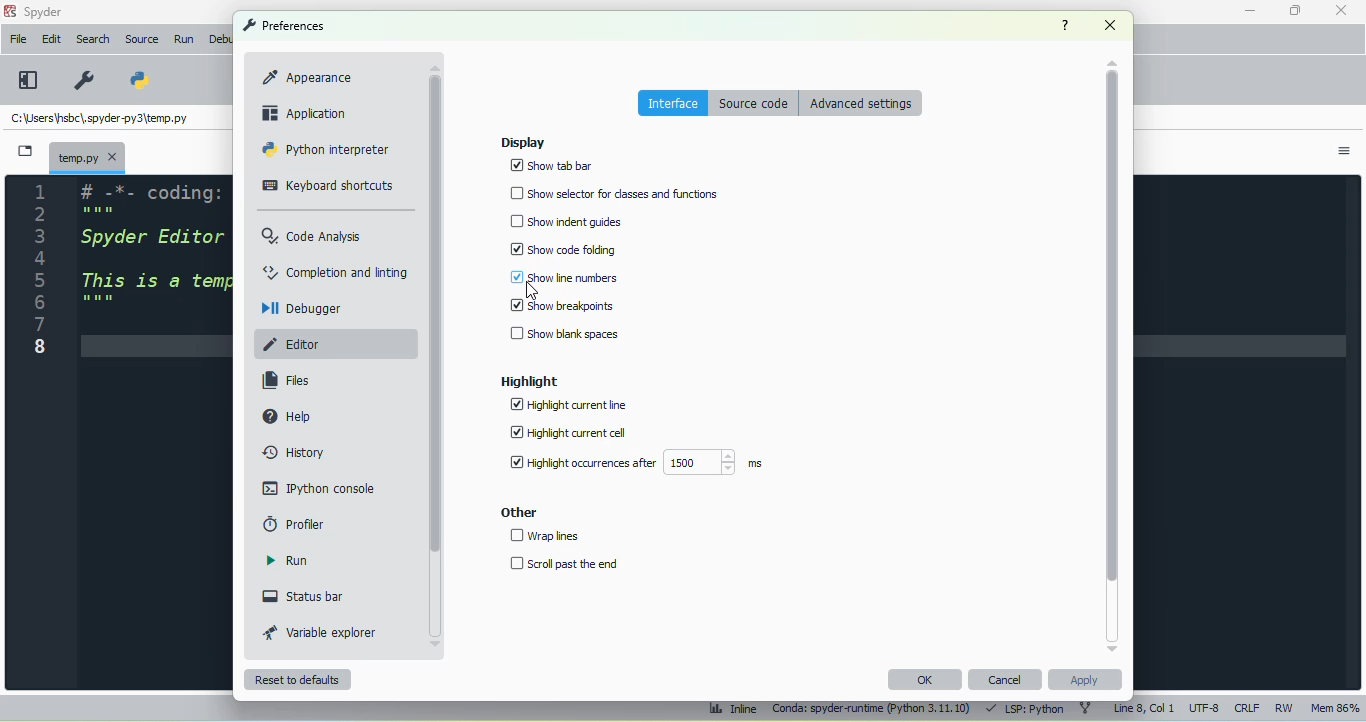 This screenshot has height=722, width=1366. I want to click on close, so click(1340, 9).